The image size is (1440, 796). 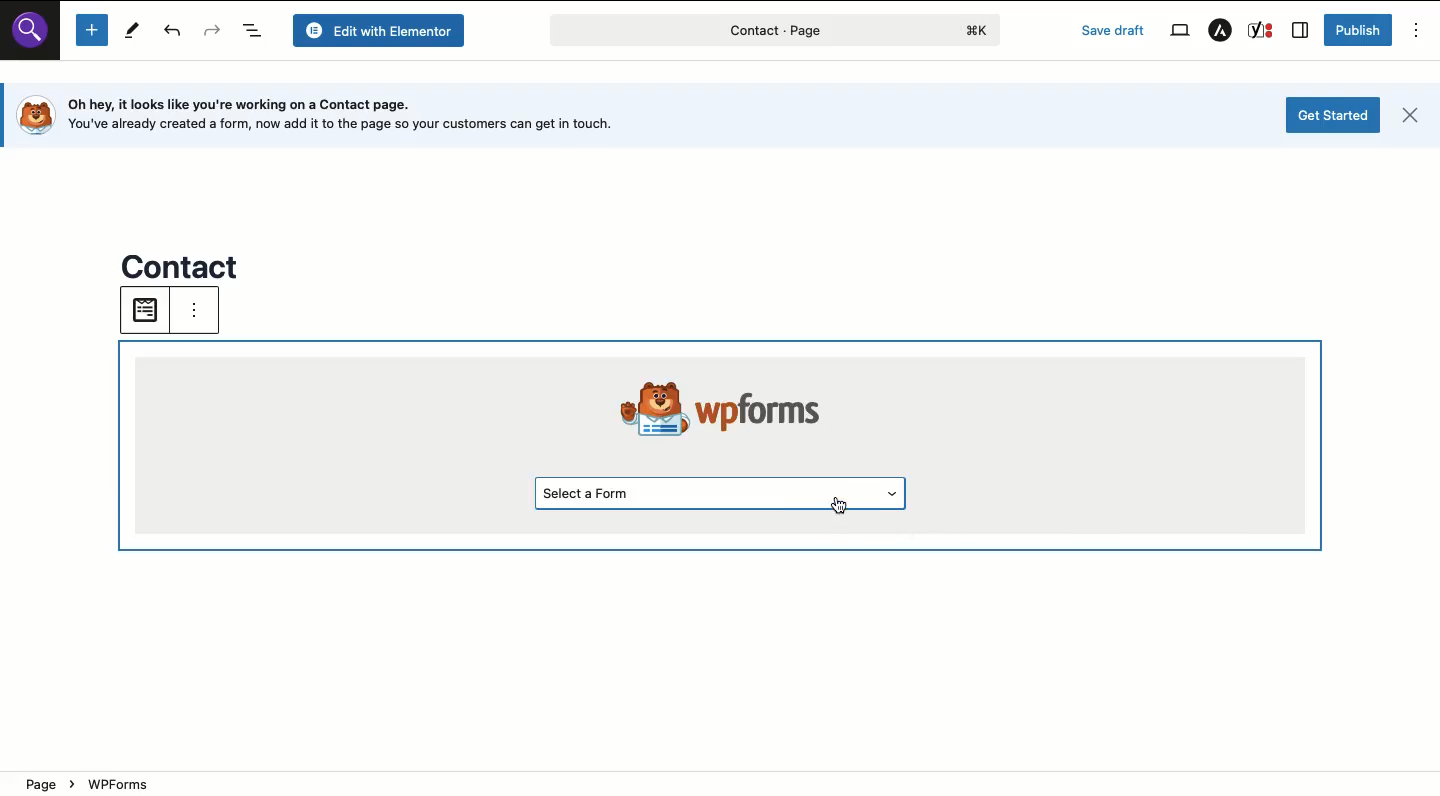 I want to click on Tools, so click(x=130, y=30).